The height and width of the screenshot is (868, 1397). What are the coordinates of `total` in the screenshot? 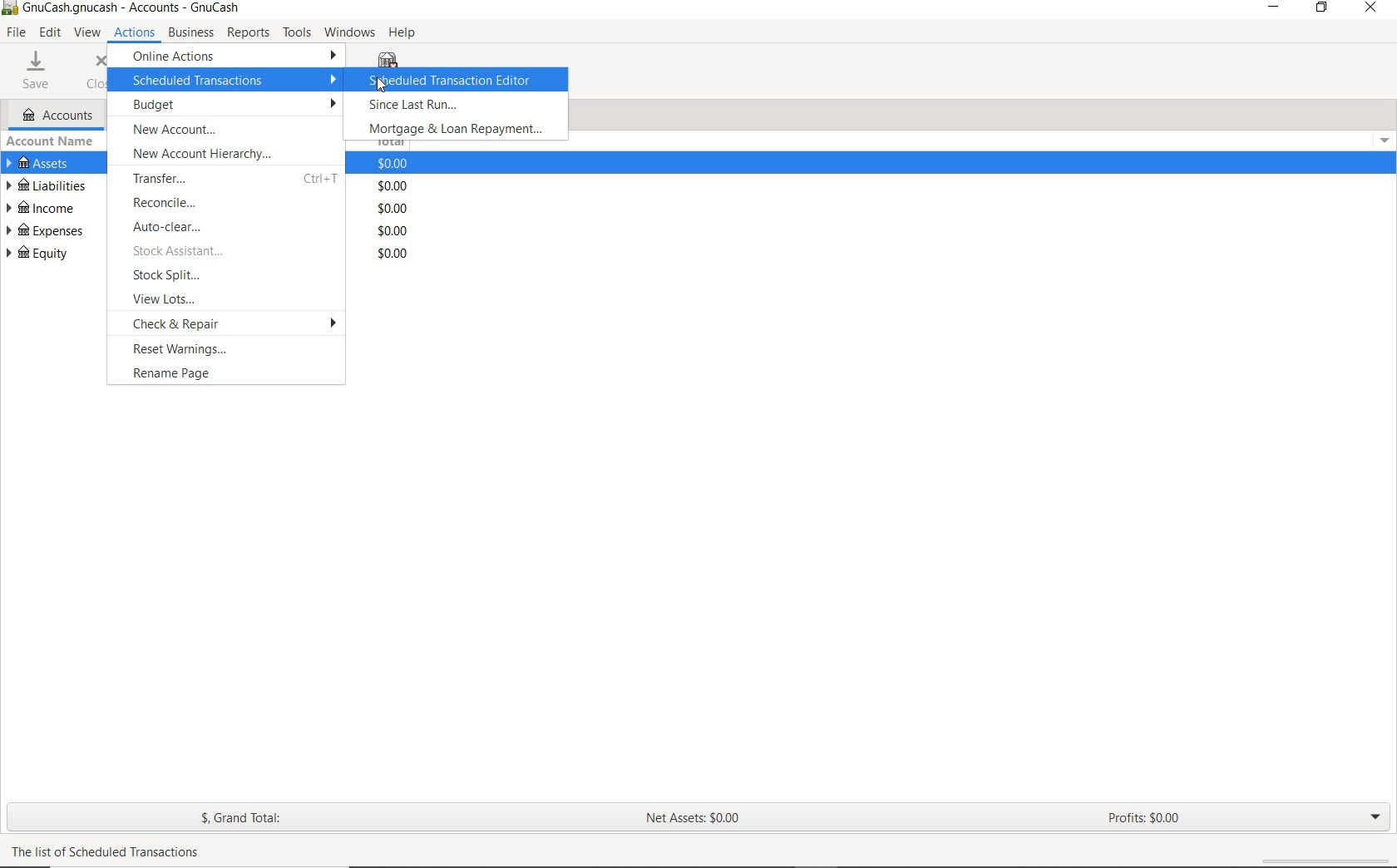 It's located at (393, 207).